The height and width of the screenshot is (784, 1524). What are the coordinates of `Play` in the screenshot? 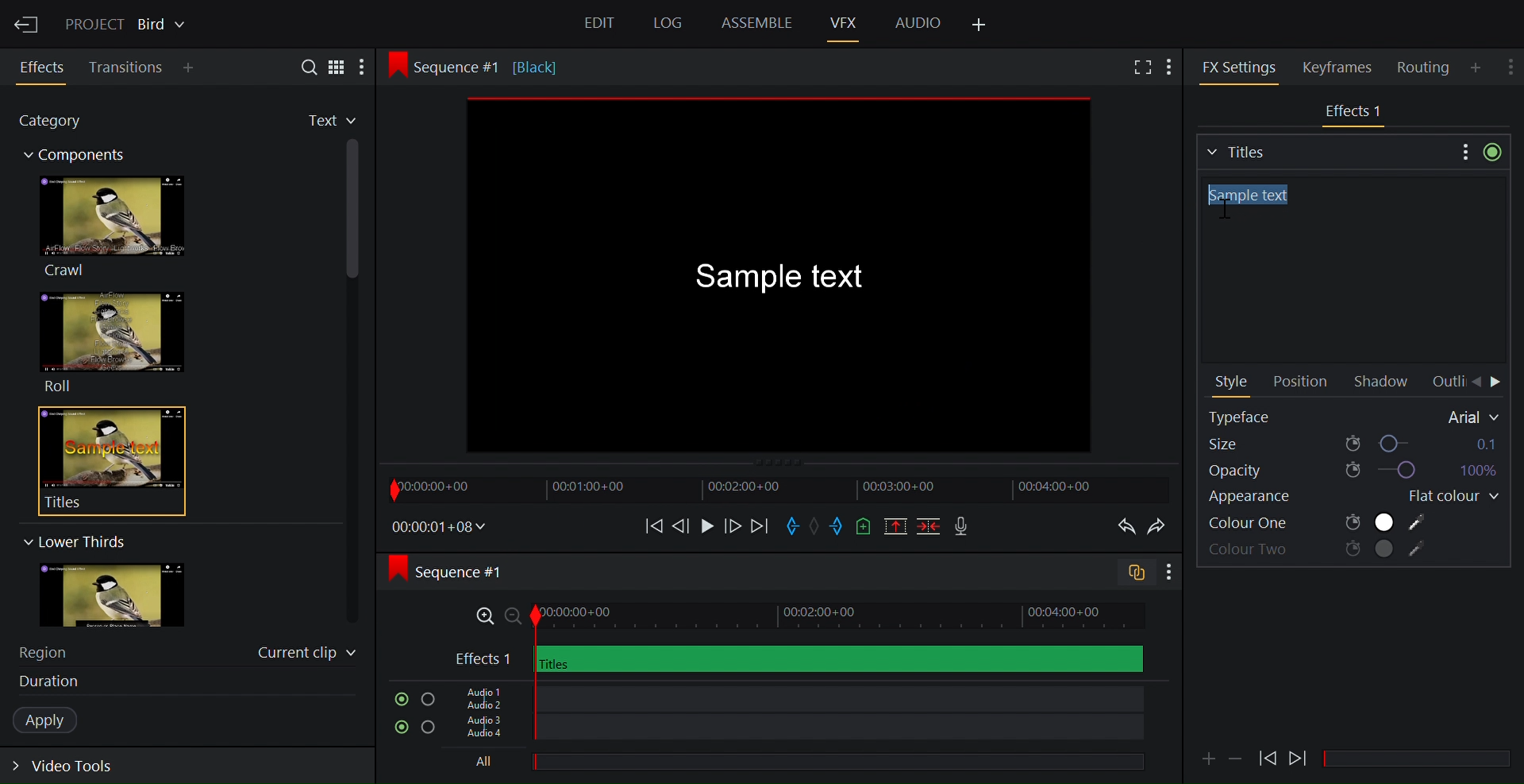 It's located at (706, 525).